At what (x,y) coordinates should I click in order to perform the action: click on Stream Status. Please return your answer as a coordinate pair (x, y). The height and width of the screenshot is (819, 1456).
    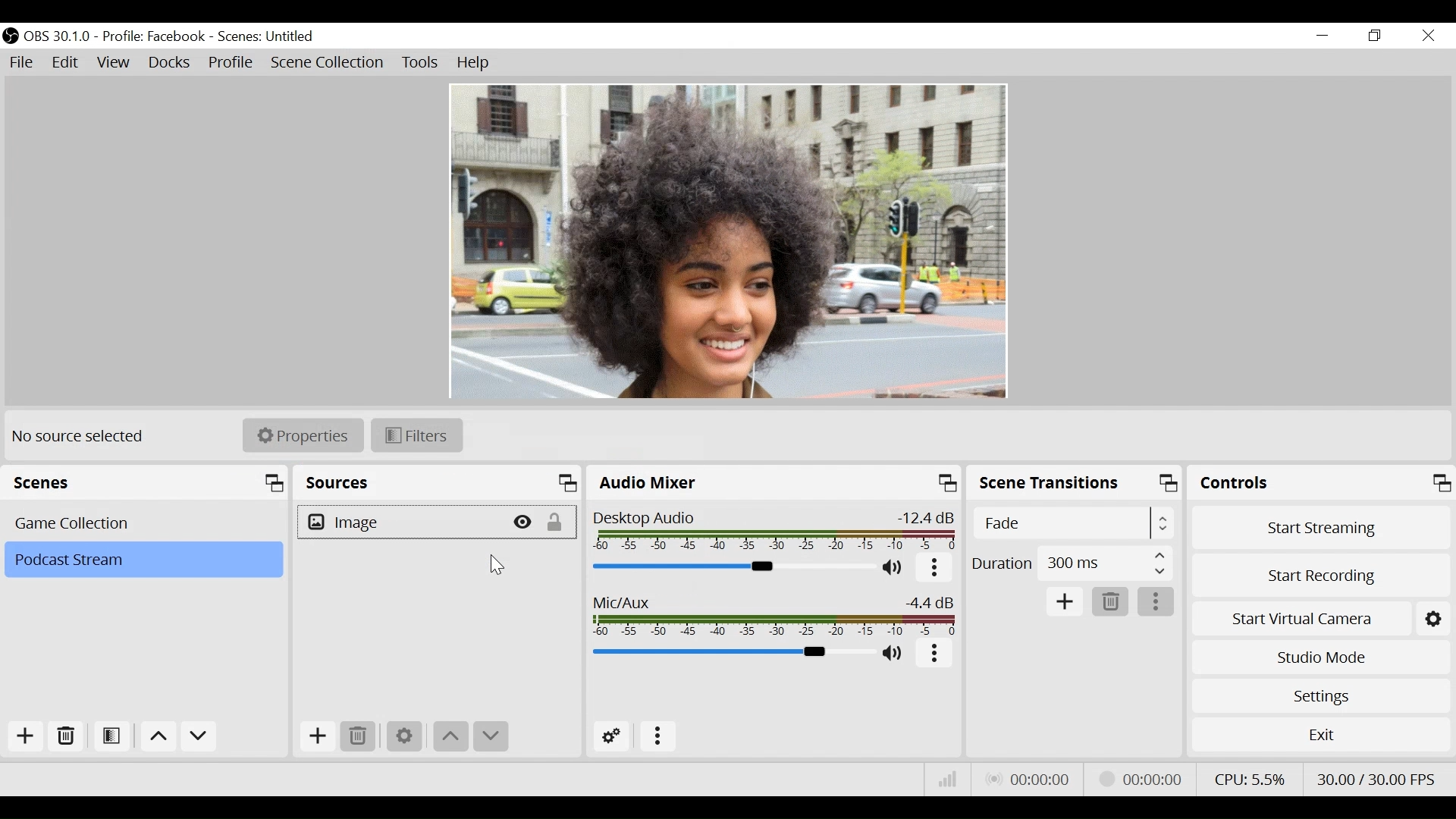
    Looking at the image, I should click on (1150, 779).